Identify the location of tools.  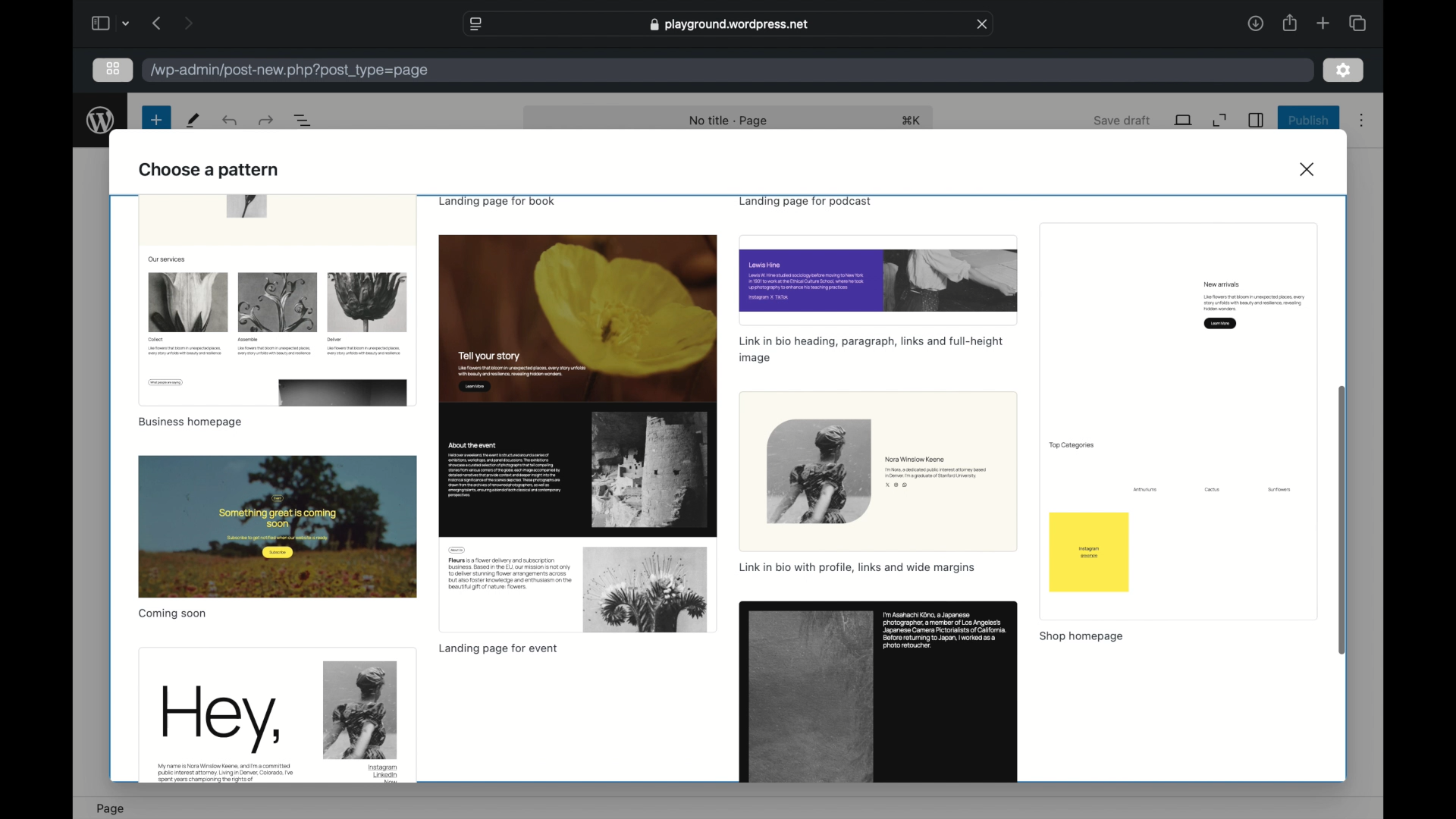
(194, 121).